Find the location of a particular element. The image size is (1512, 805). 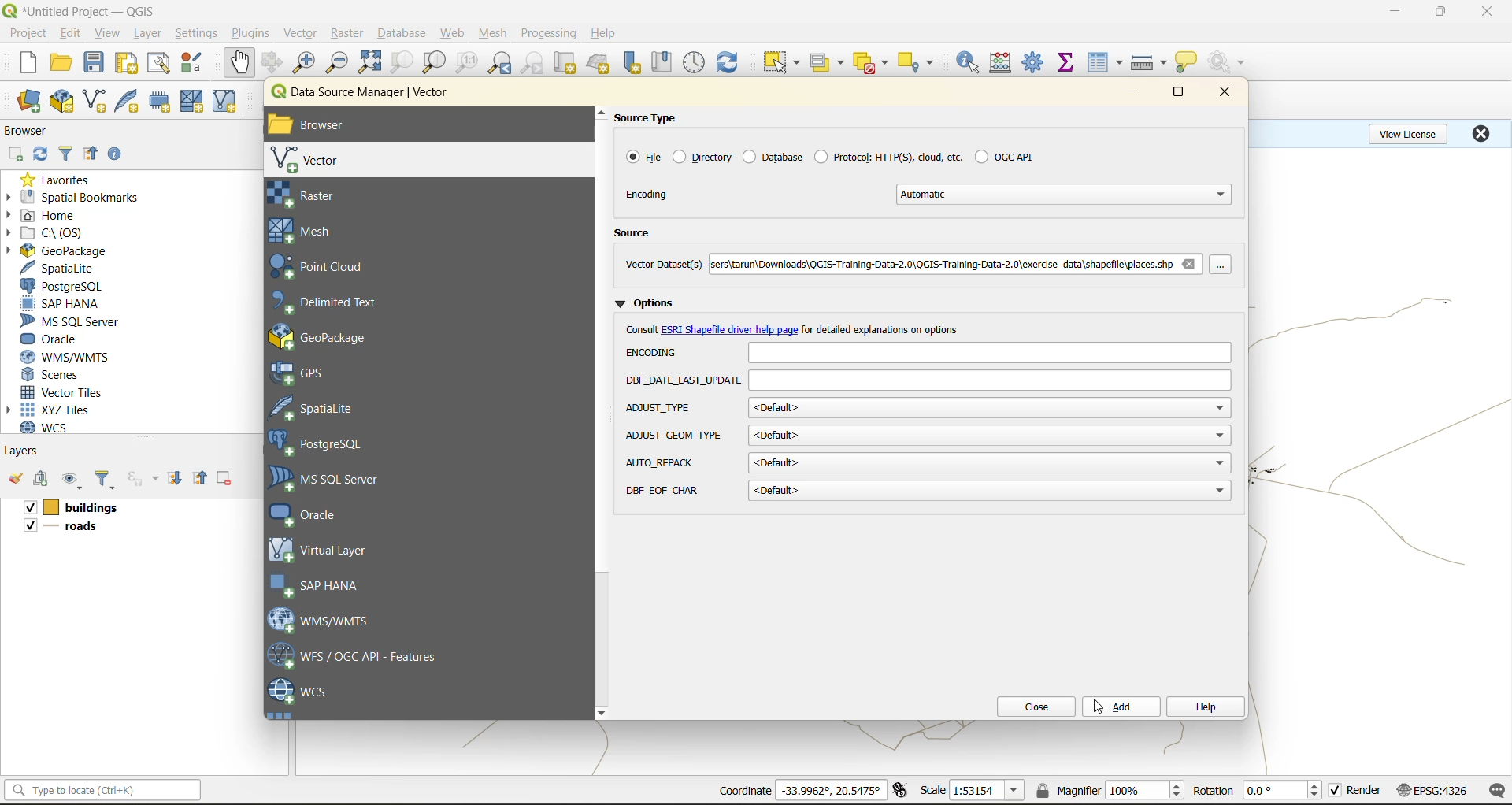

sap hana is located at coordinates (61, 304).